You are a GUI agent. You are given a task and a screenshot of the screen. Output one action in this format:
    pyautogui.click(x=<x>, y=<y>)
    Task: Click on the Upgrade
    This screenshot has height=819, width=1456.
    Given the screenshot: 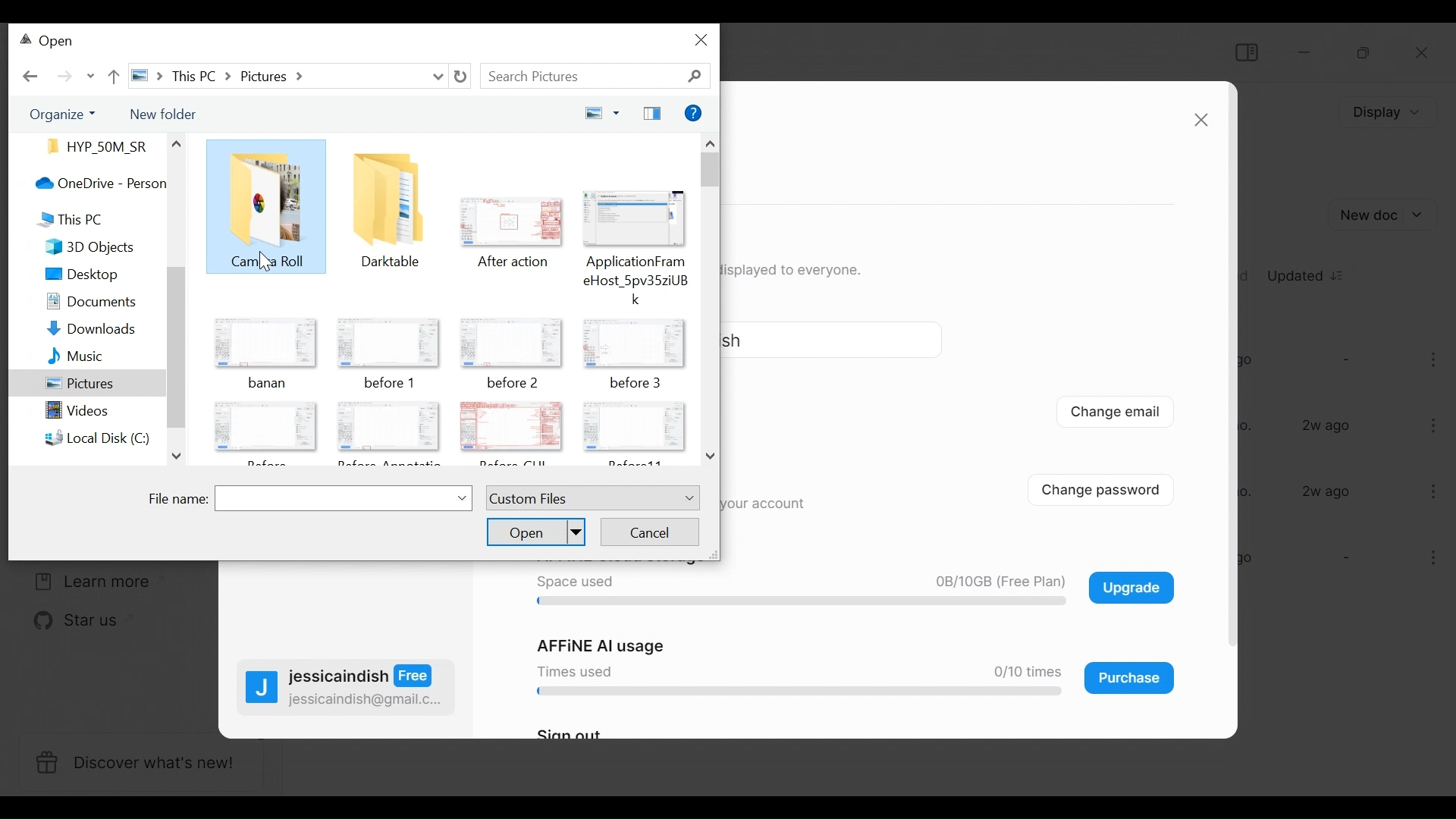 What is the action you would take?
    pyautogui.click(x=1131, y=587)
    